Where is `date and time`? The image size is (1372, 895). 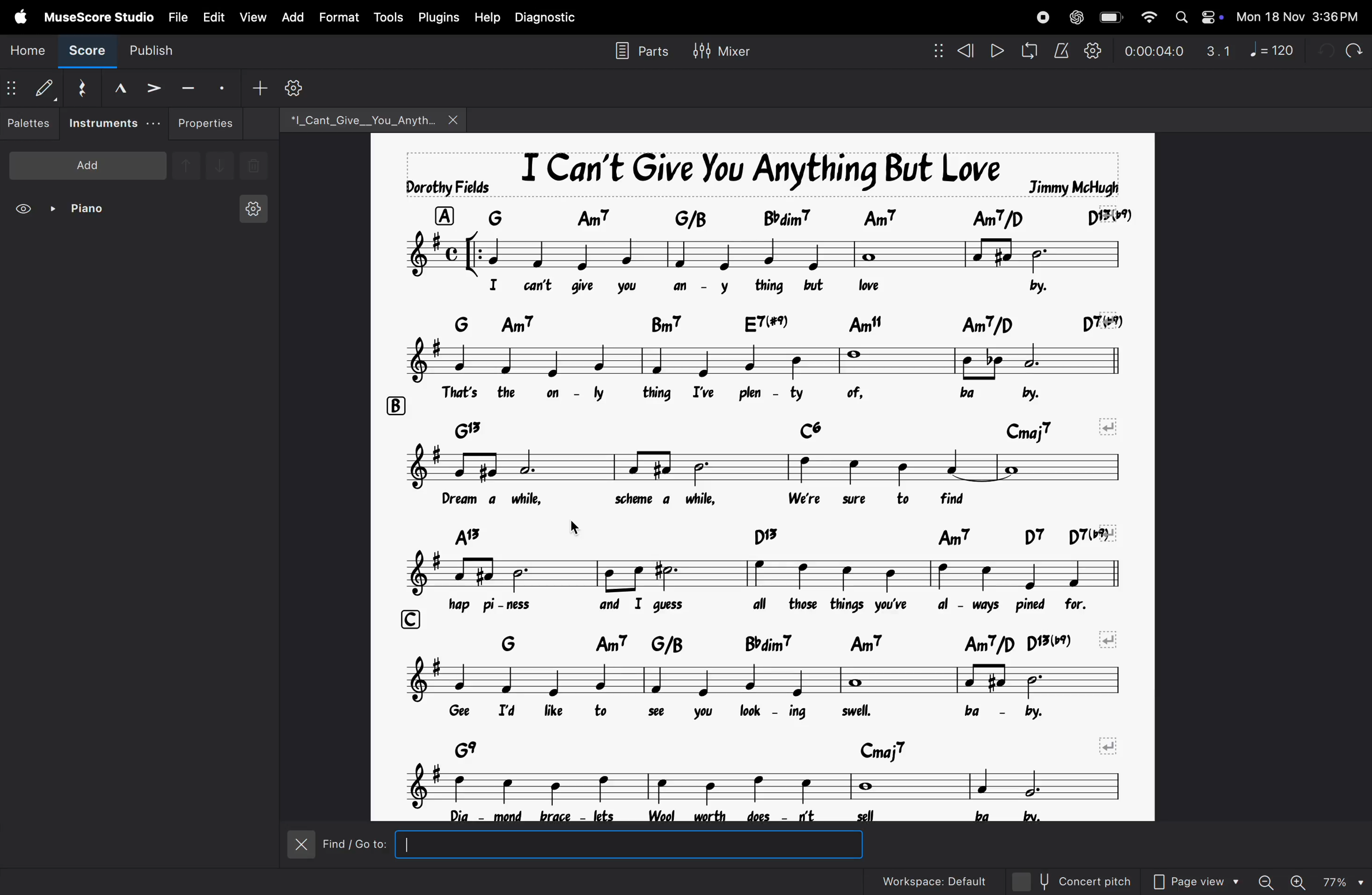
date and time is located at coordinates (1298, 17).